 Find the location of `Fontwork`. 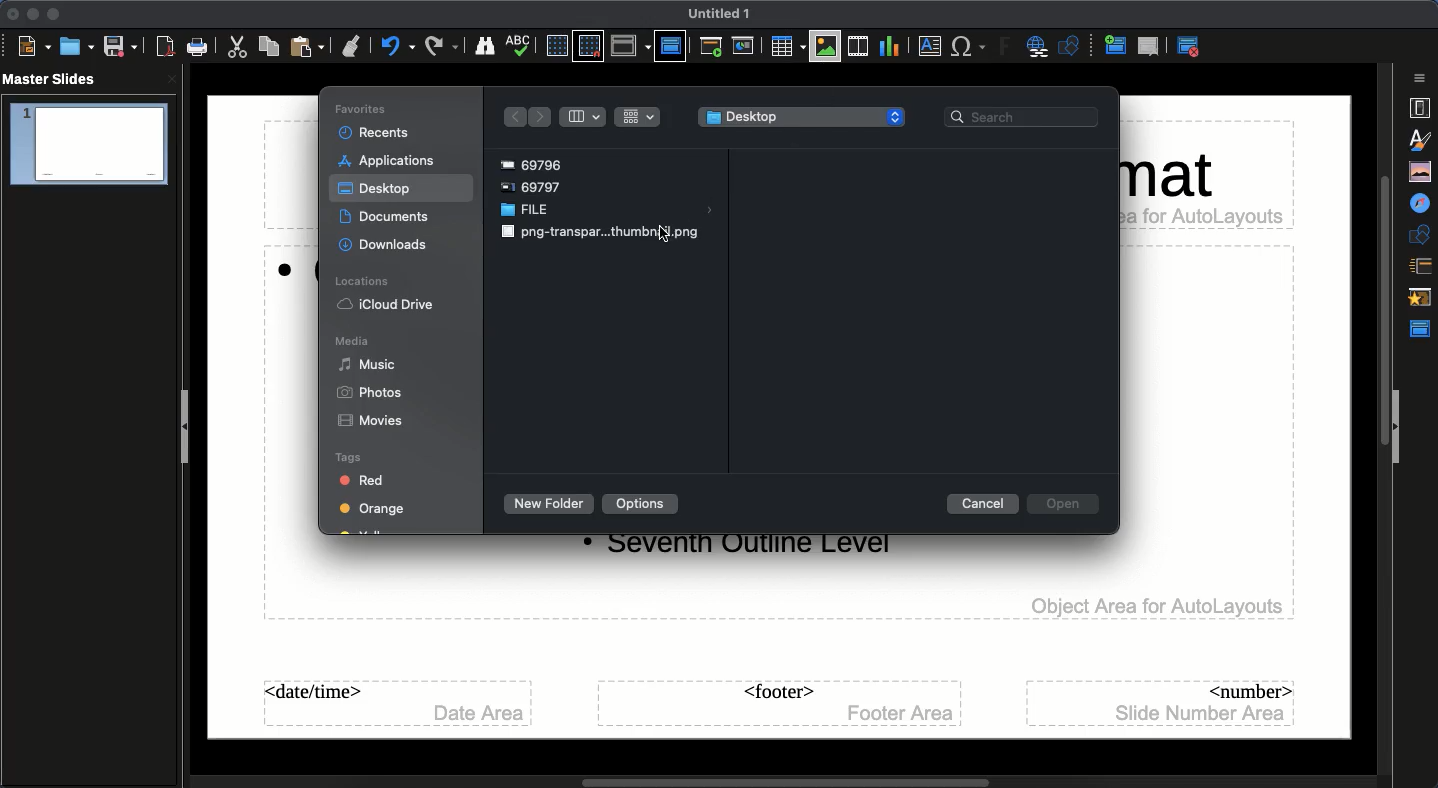

Fontwork is located at coordinates (1006, 49).